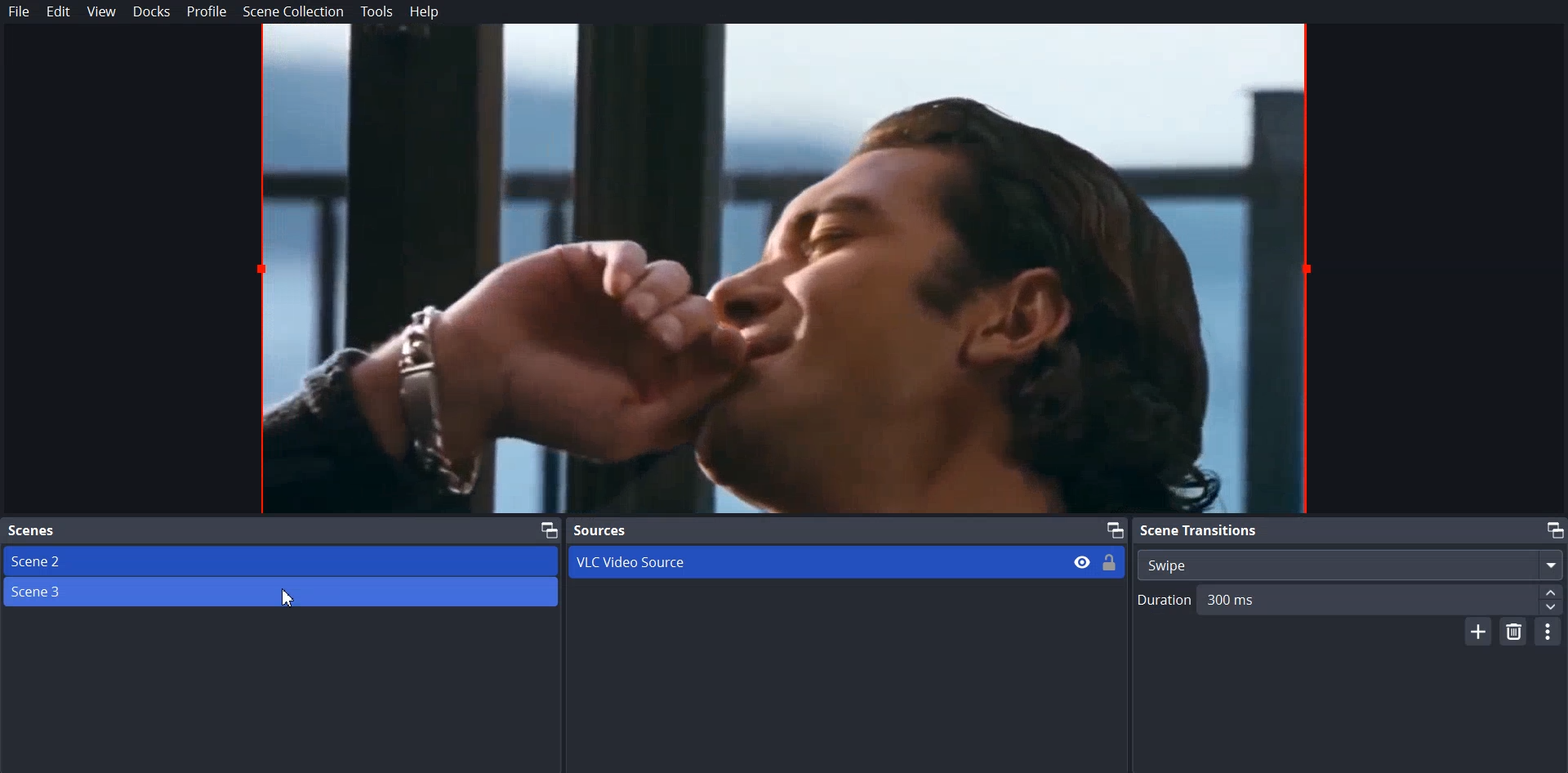 Image resolution: width=1568 pixels, height=773 pixels. Describe the element at coordinates (102, 12) in the screenshot. I see `View` at that location.